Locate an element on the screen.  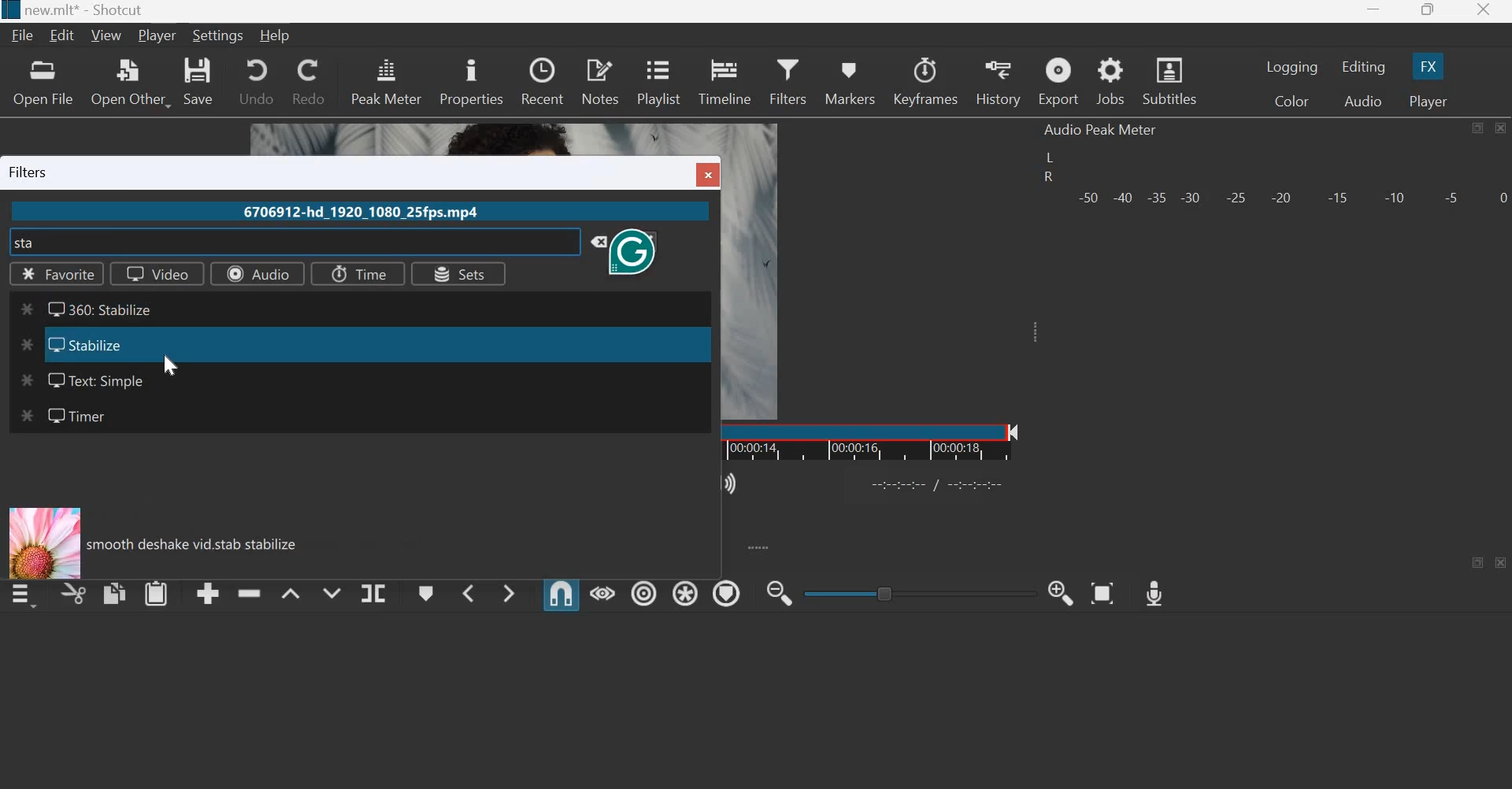
expand is located at coordinates (1040, 338).